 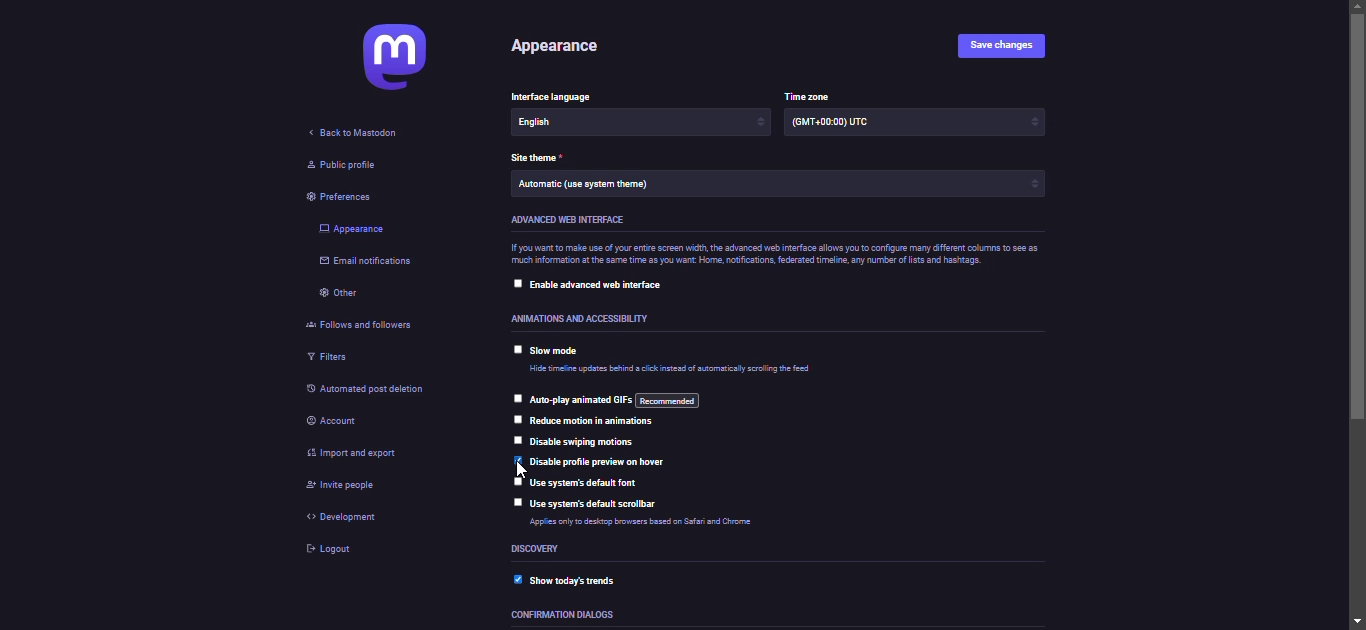 What do you see at coordinates (516, 577) in the screenshot?
I see `enabled` at bounding box center [516, 577].